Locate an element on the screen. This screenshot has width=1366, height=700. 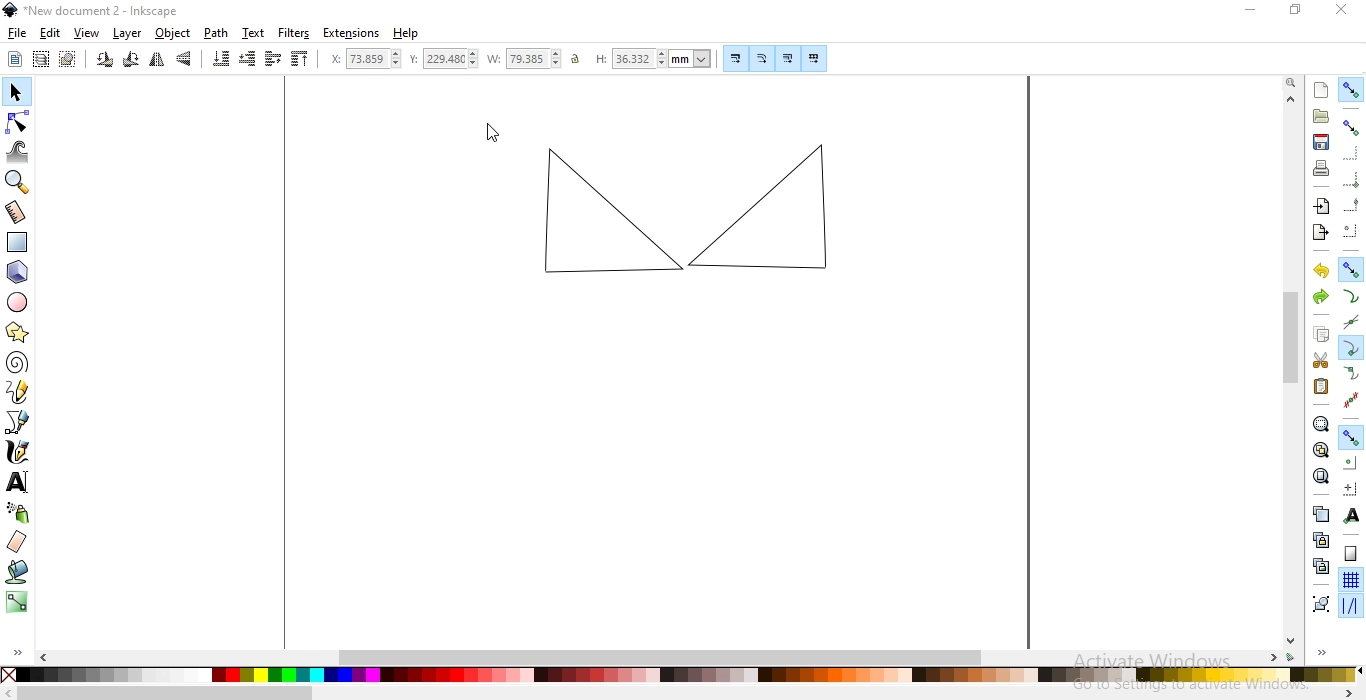
scale radii of rounded corners is located at coordinates (762, 58).